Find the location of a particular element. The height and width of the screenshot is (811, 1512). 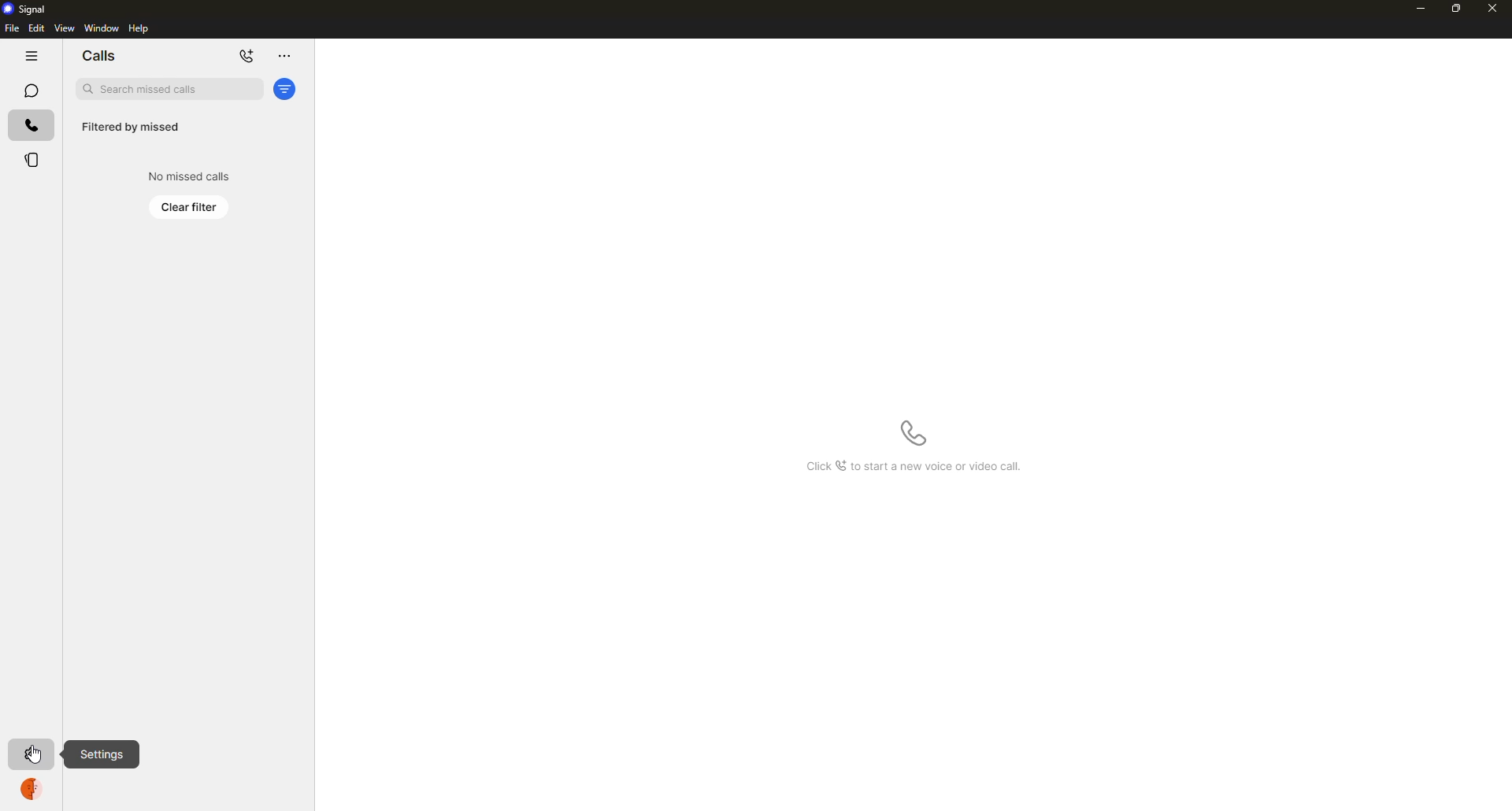

clear filter is located at coordinates (190, 207).